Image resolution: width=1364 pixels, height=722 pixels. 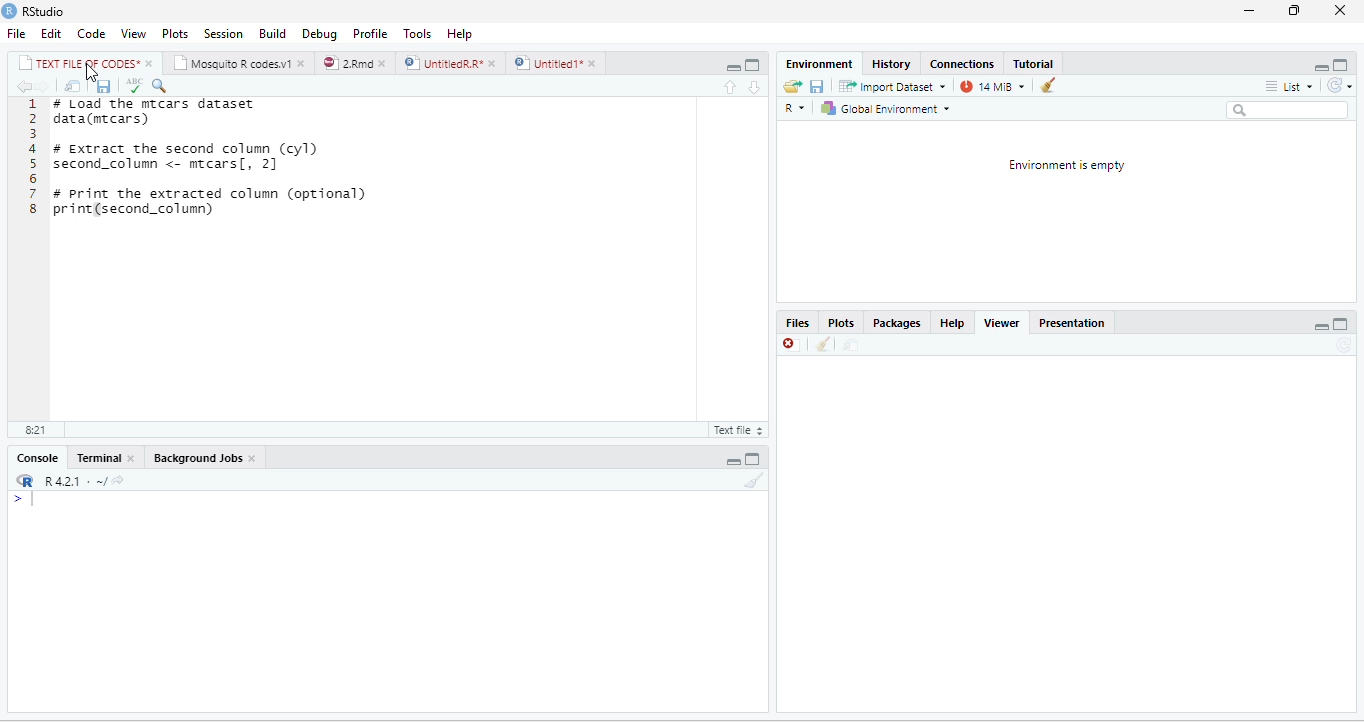 I want to click on clean , so click(x=823, y=346).